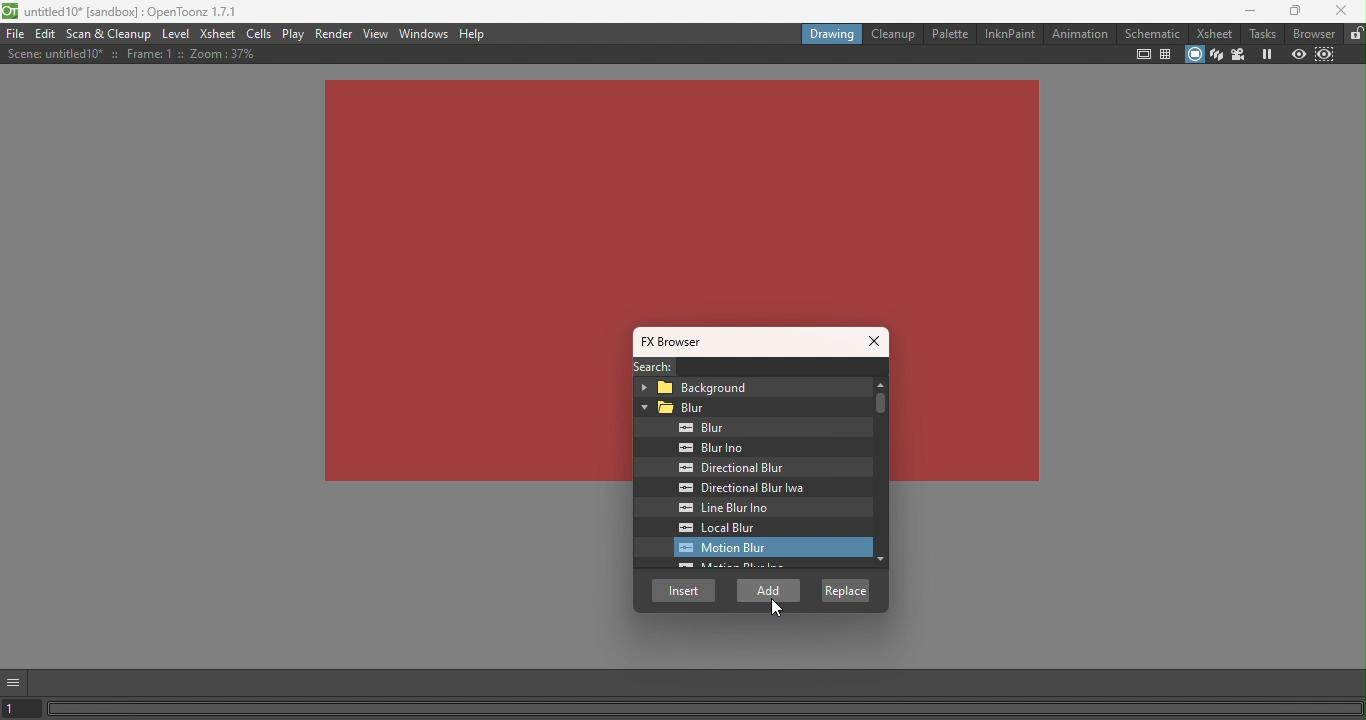  What do you see at coordinates (650, 366) in the screenshot?
I see `Search` at bounding box center [650, 366].